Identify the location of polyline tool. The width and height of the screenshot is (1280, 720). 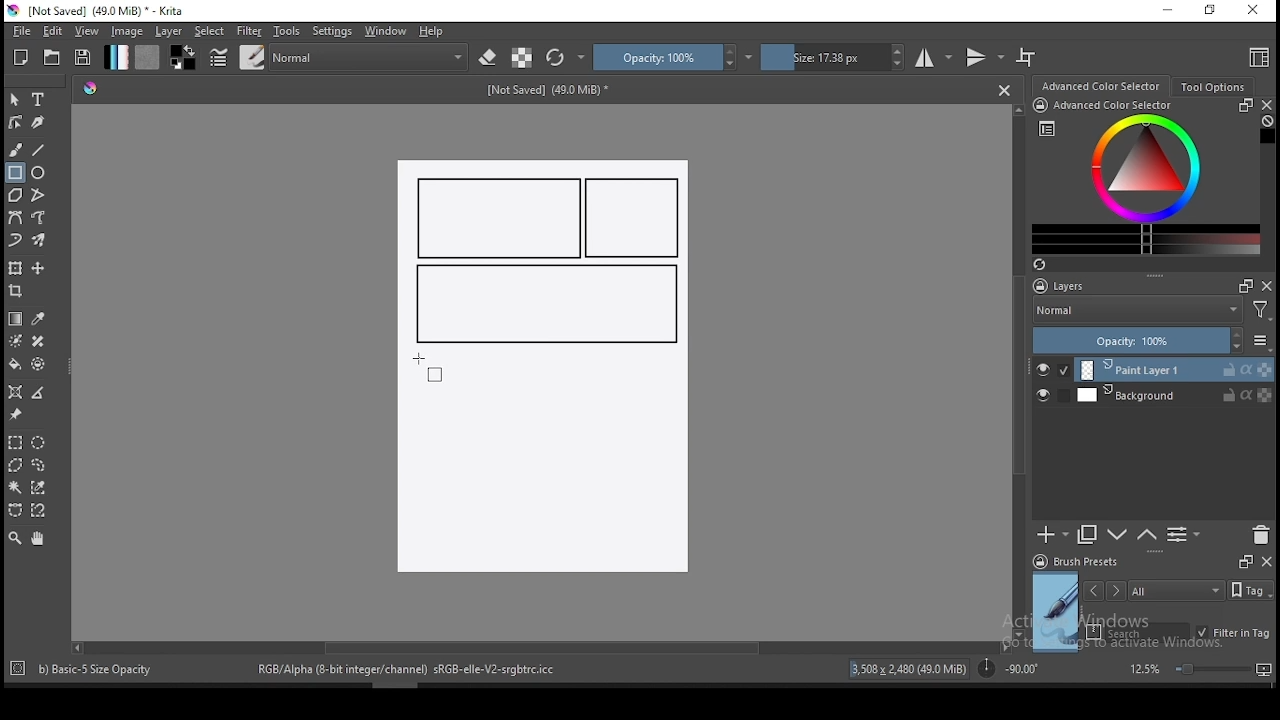
(38, 193).